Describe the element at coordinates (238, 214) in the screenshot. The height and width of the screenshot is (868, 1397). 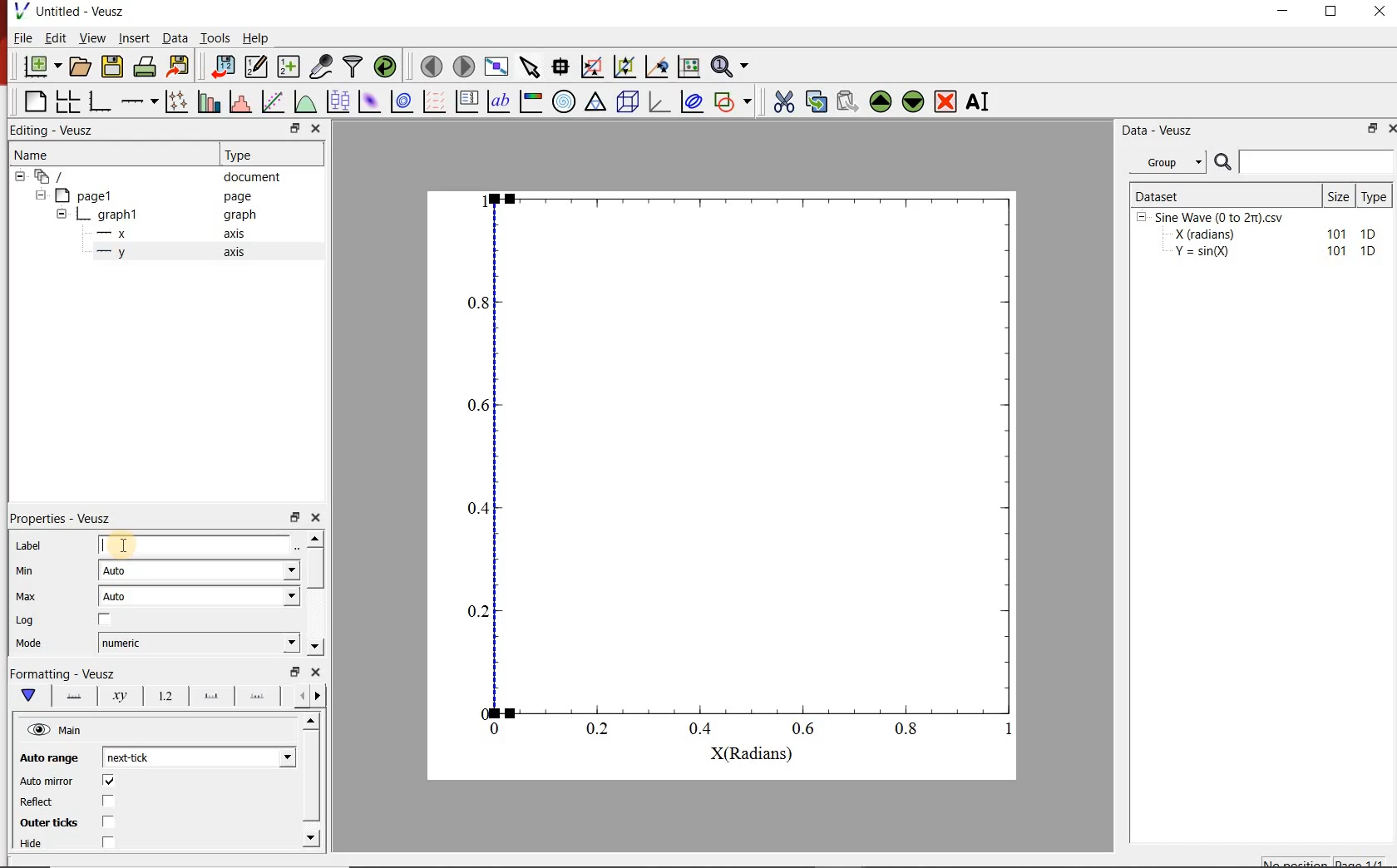
I see `graph` at that location.